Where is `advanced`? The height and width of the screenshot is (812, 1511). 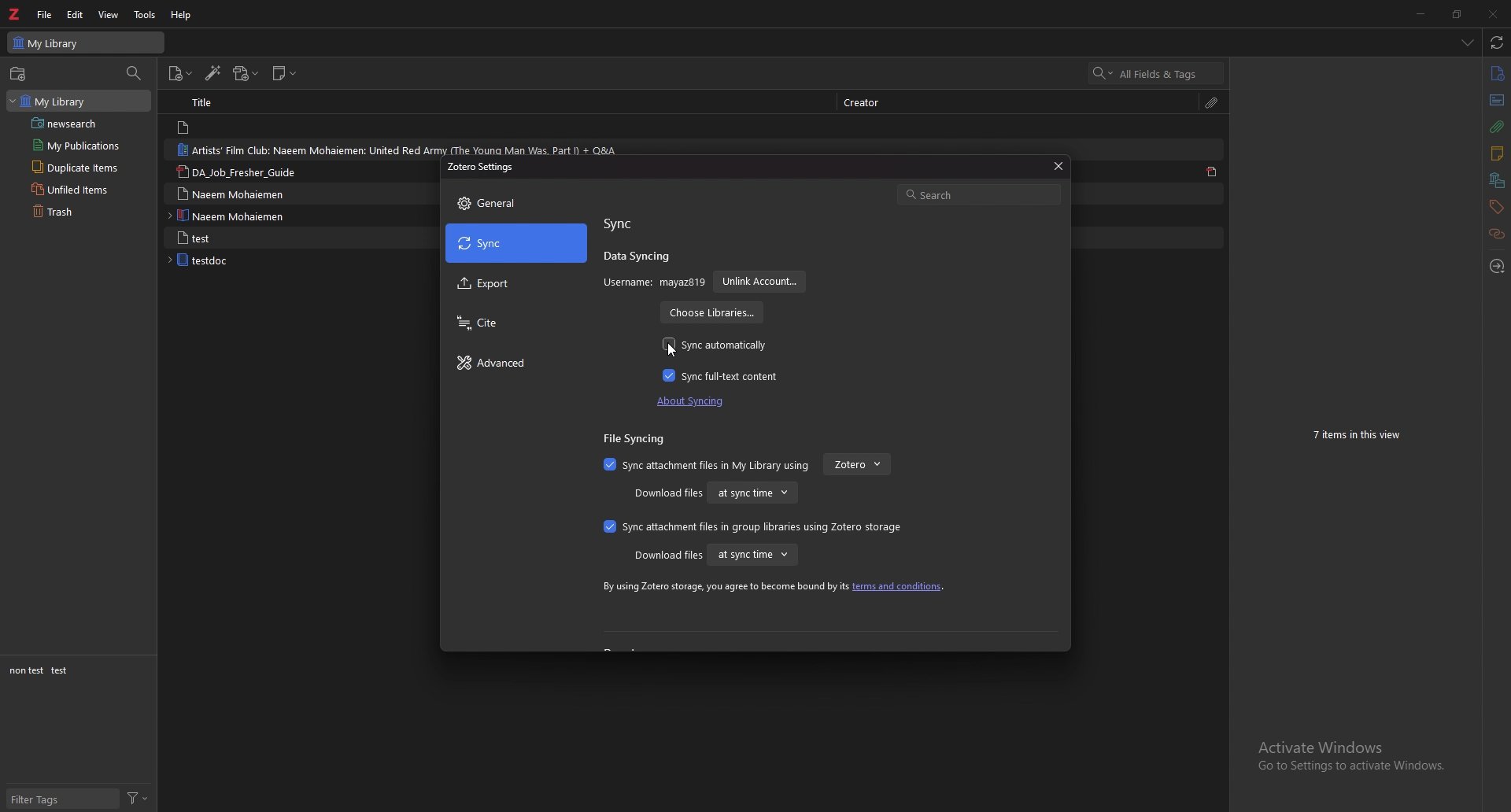
advanced is located at coordinates (515, 364).